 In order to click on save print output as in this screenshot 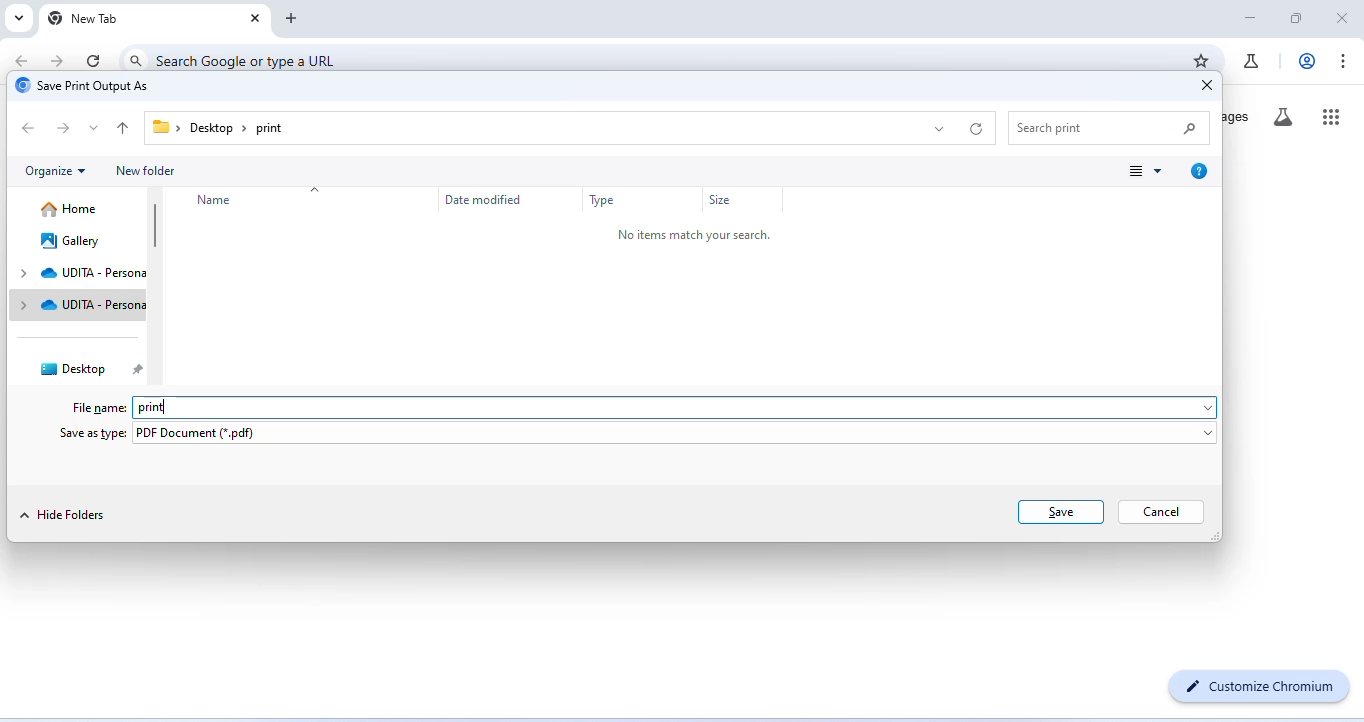, I will do `click(82, 87)`.